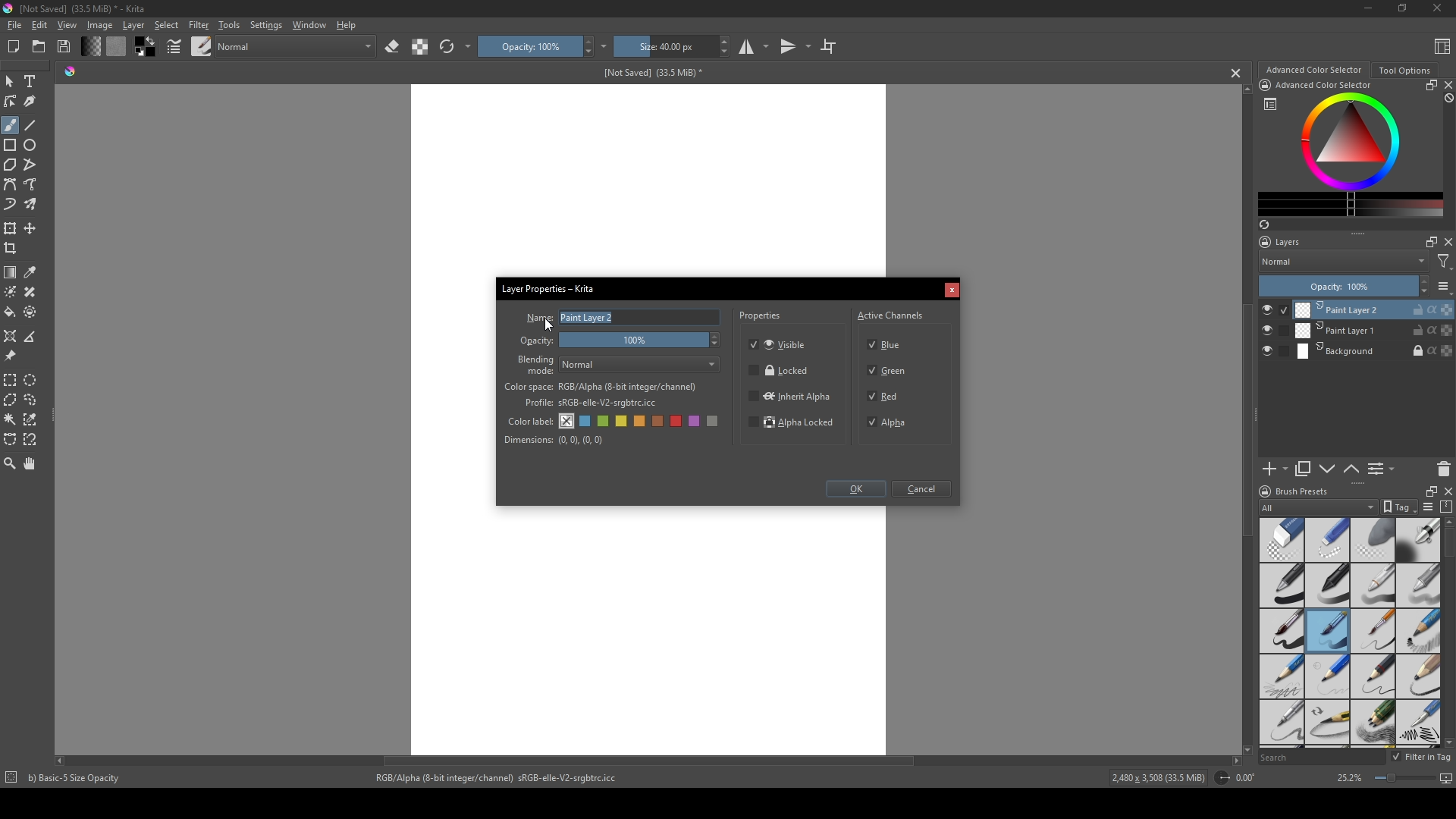 This screenshot has width=1456, height=819. Describe the element at coordinates (32, 205) in the screenshot. I see `multibrush` at that location.